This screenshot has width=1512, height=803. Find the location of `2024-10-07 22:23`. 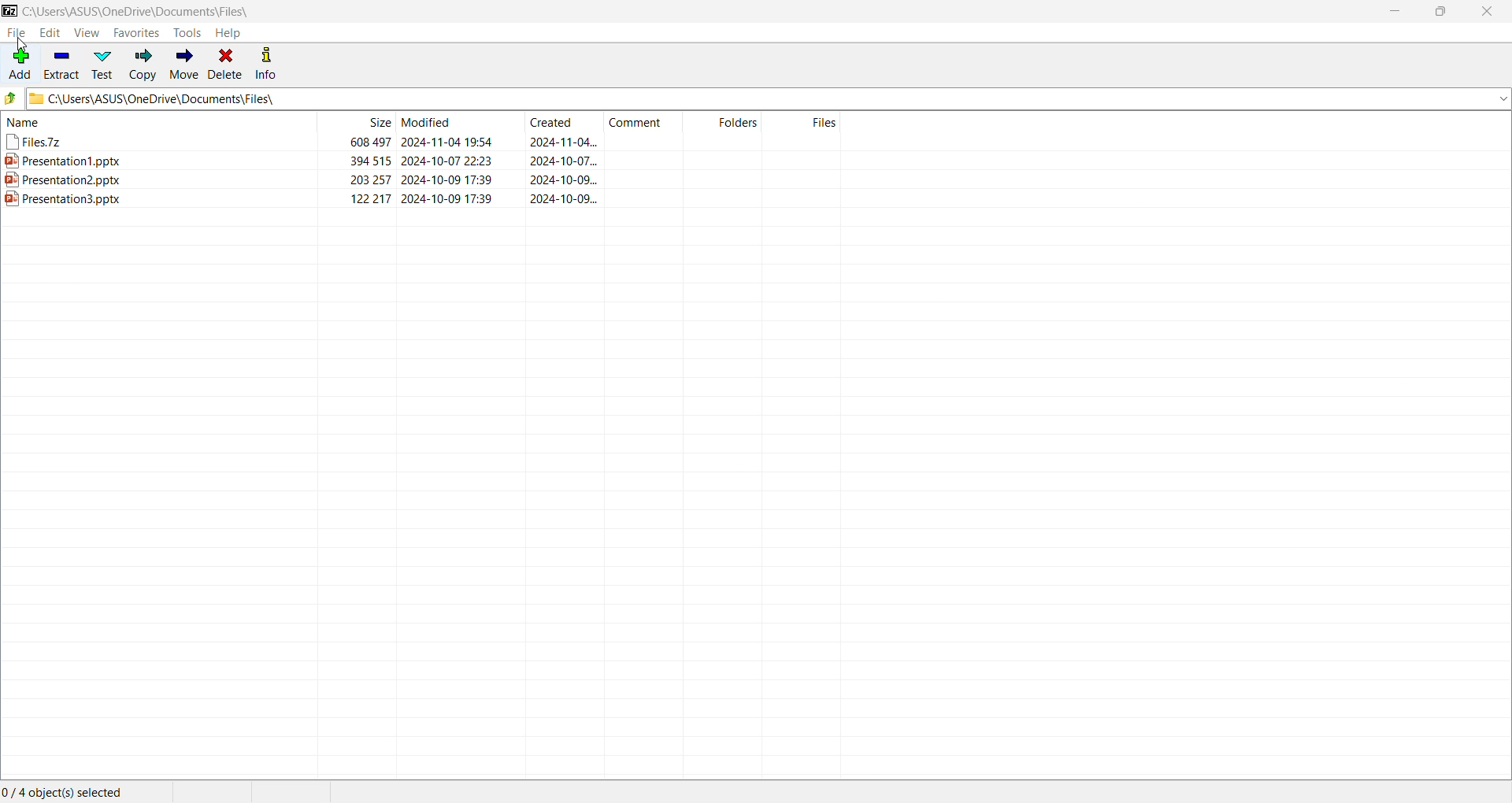

2024-10-07 22:23 is located at coordinates (447, 161).